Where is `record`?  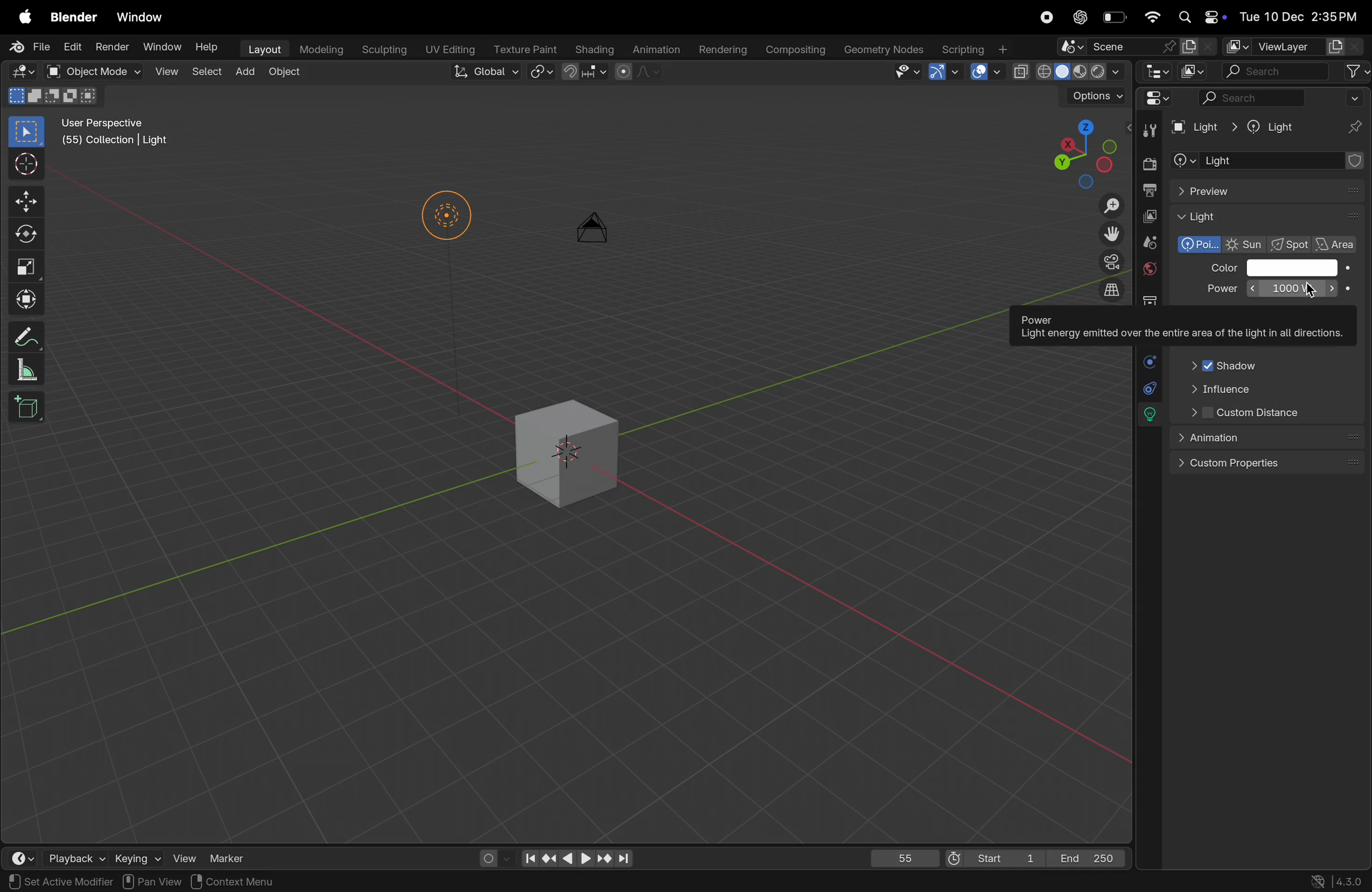 record is located at coordinates (1046, 17).